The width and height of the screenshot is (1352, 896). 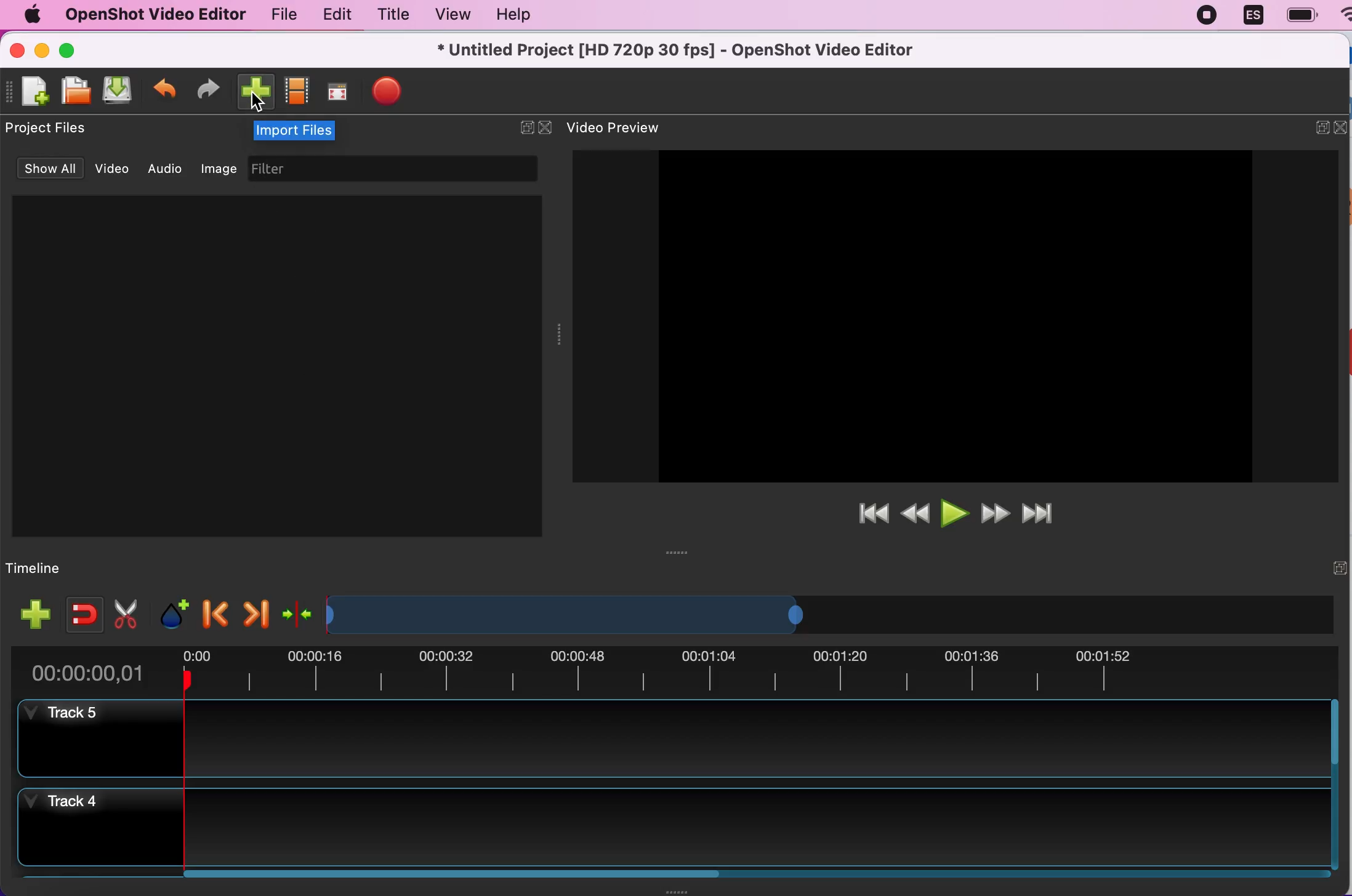 What do you see at coordinates (523, 126) in the screenshot?
I see `expand/hide` at bounding box center [523, 126].